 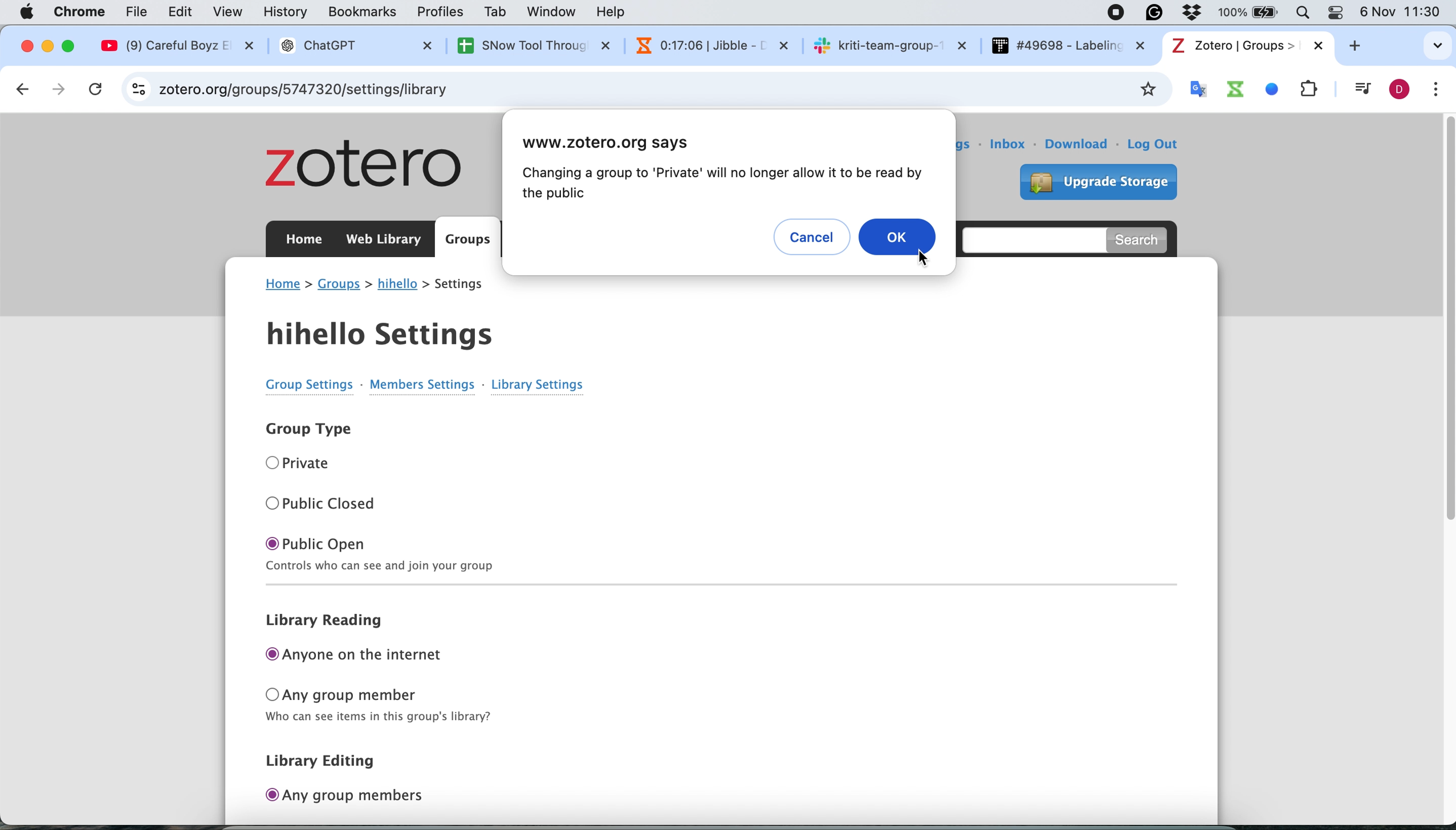 I want to click on Library Settings, so click(x=532, y=384).